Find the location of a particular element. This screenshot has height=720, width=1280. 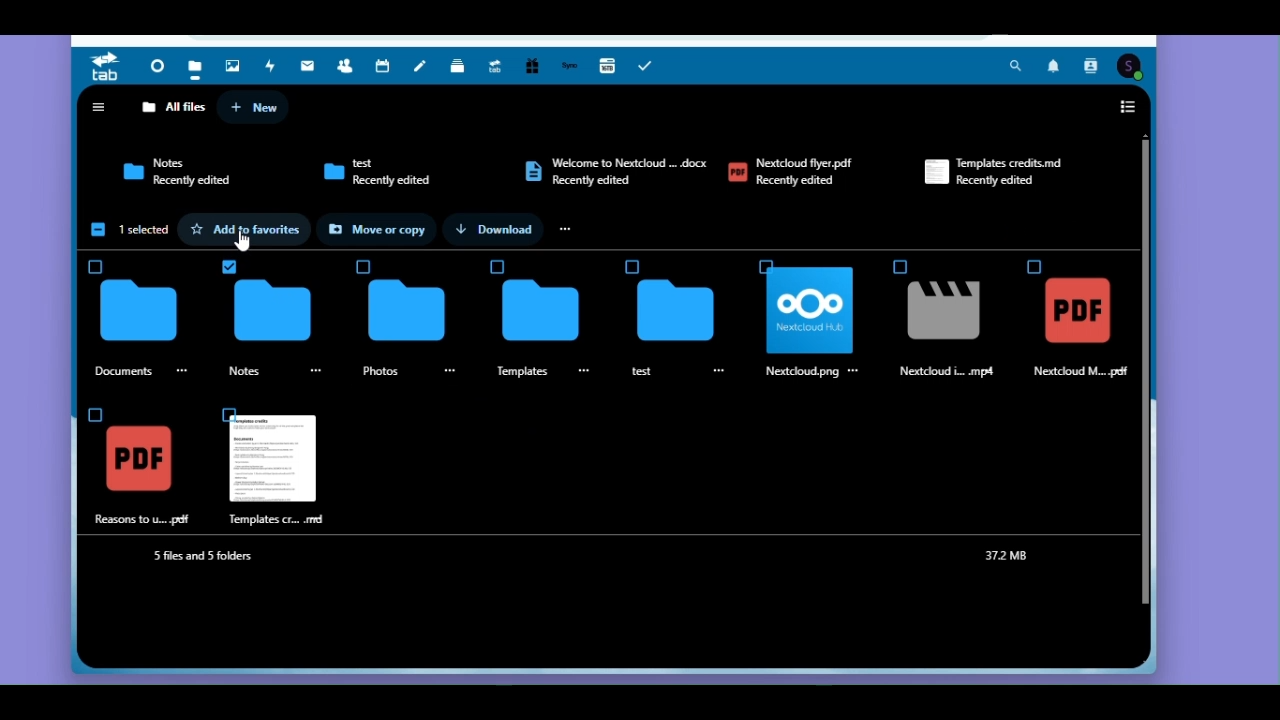

Templated credits.md is located at coordinates (1015, 162).